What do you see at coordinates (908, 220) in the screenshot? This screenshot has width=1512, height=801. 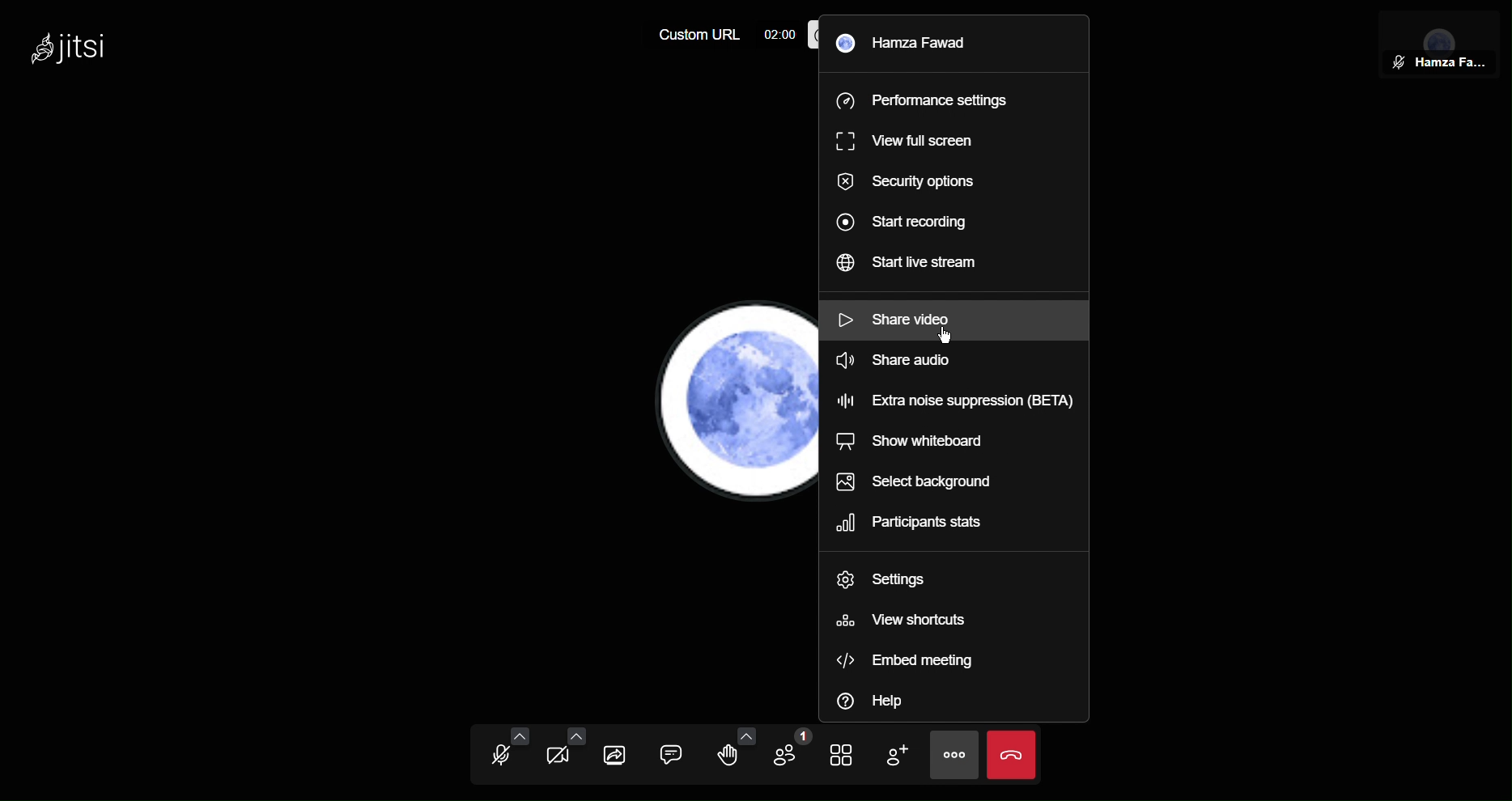 I see `Start recording` at bounding box center [908, 220].